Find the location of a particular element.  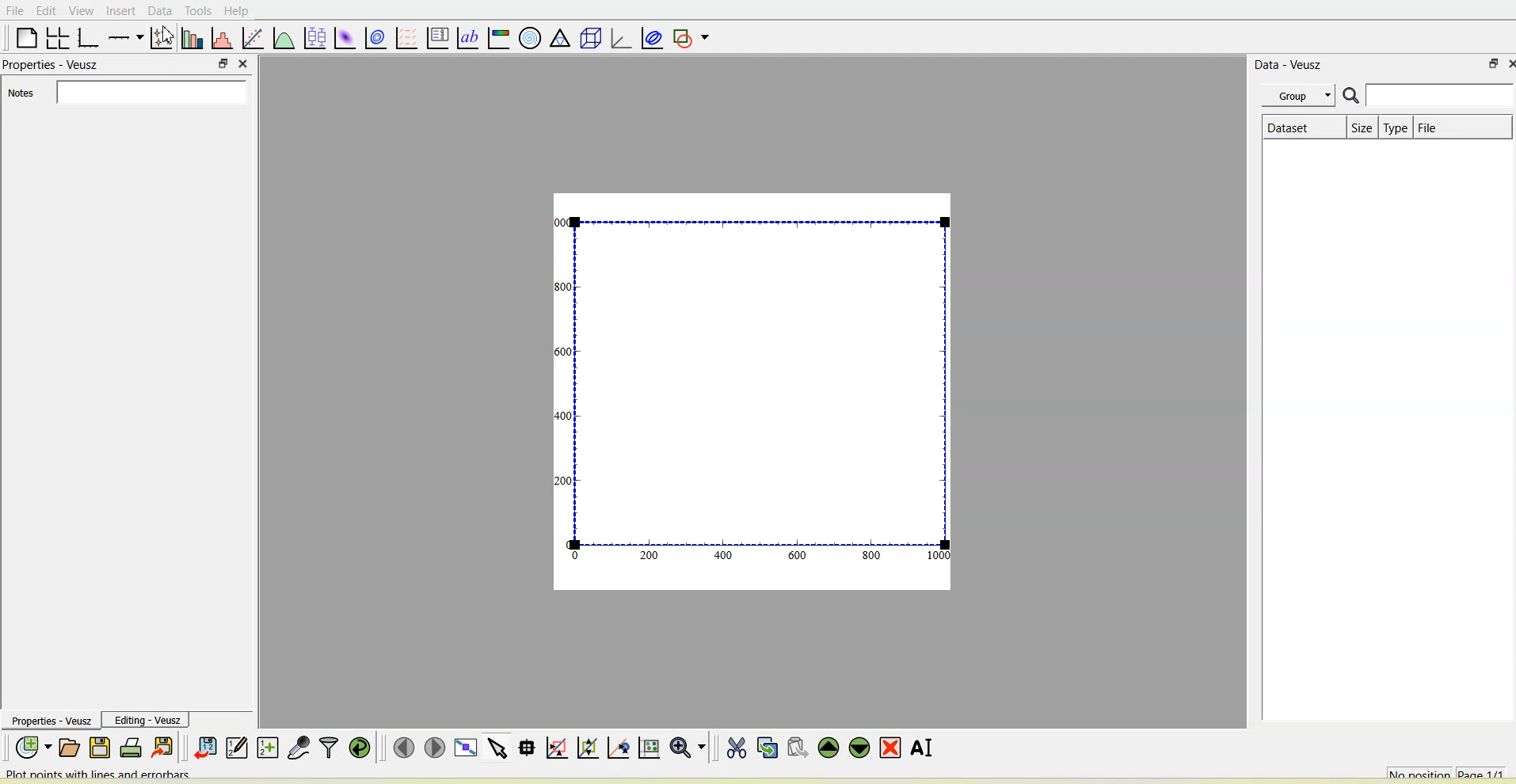

Edit and enter new datasets is located at coordinates (235, 748).